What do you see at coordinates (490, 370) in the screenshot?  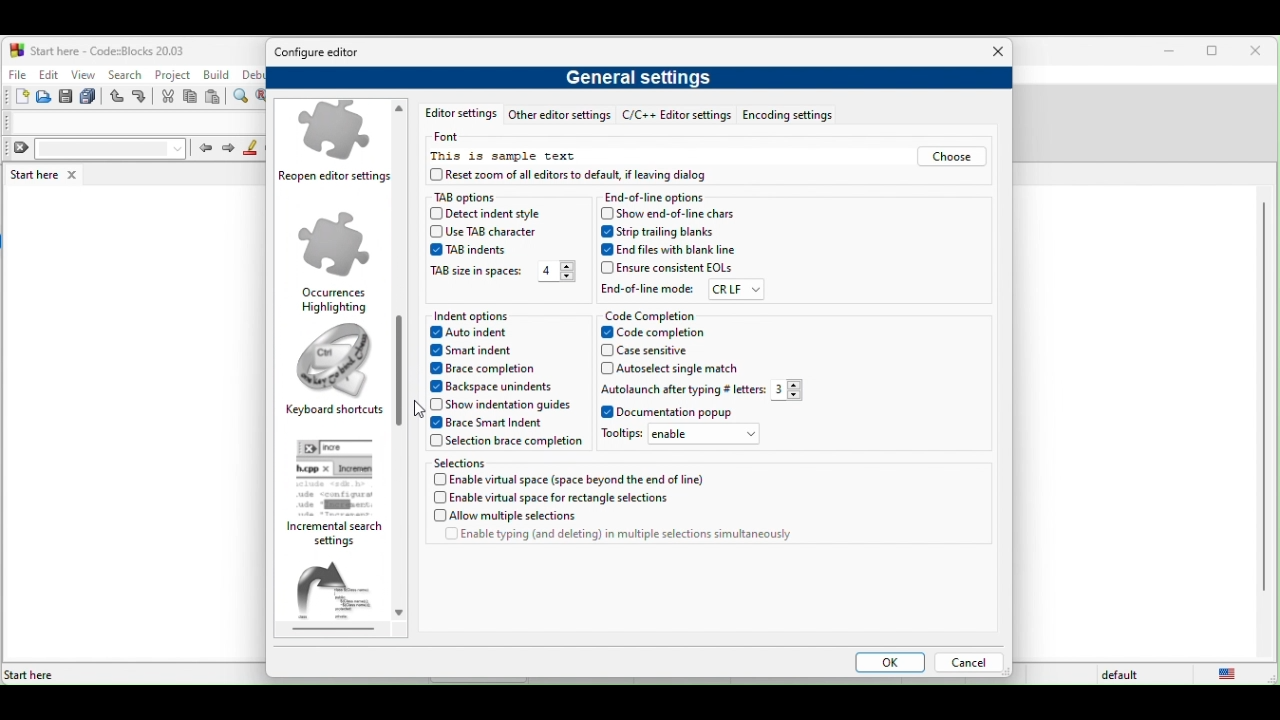 I see `brace completion` at bounding box center [490, 370].